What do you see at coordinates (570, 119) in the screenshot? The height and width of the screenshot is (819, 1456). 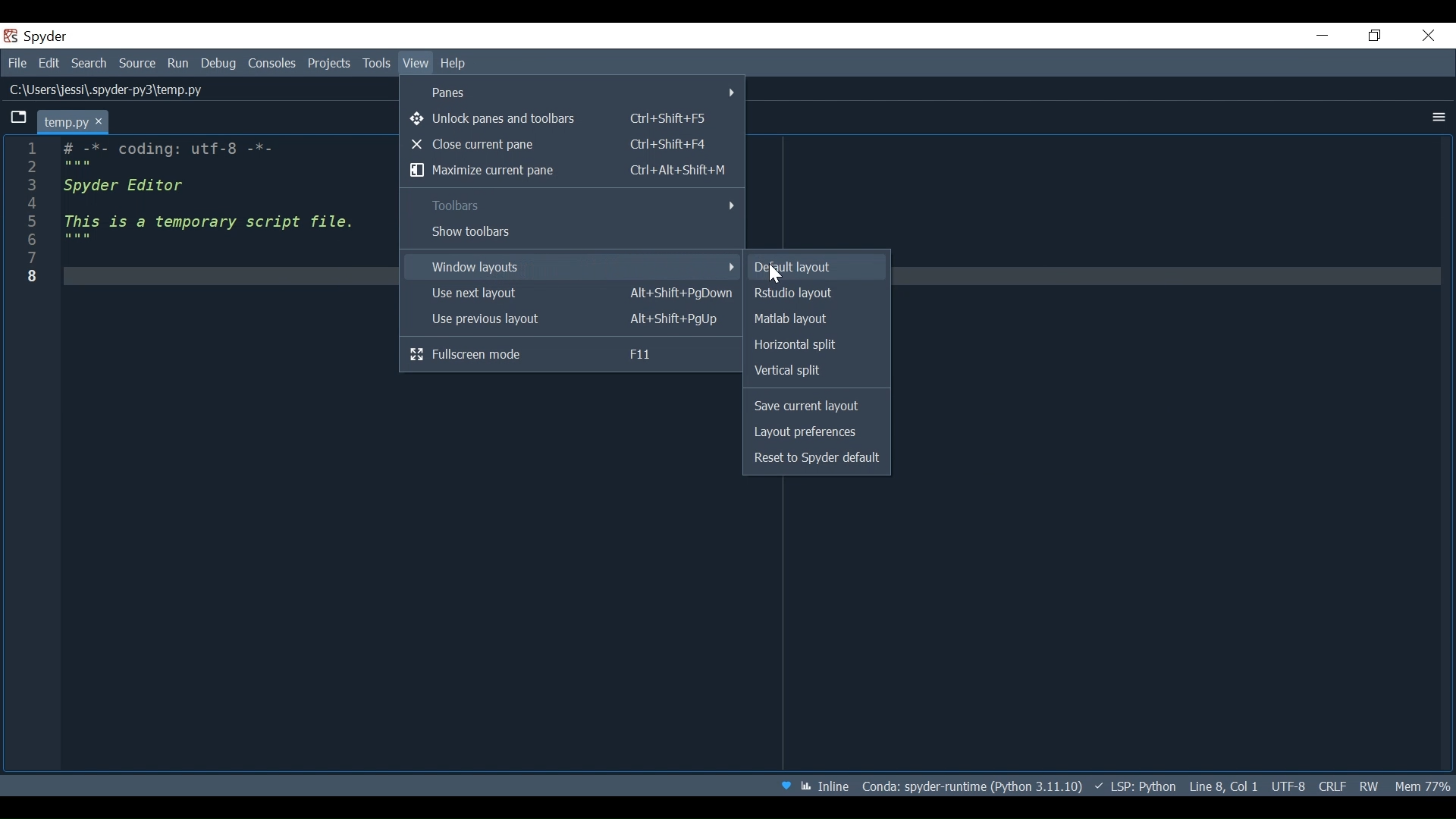 I see `Unlock panes and toolbars` at bounding box center [570, 119].